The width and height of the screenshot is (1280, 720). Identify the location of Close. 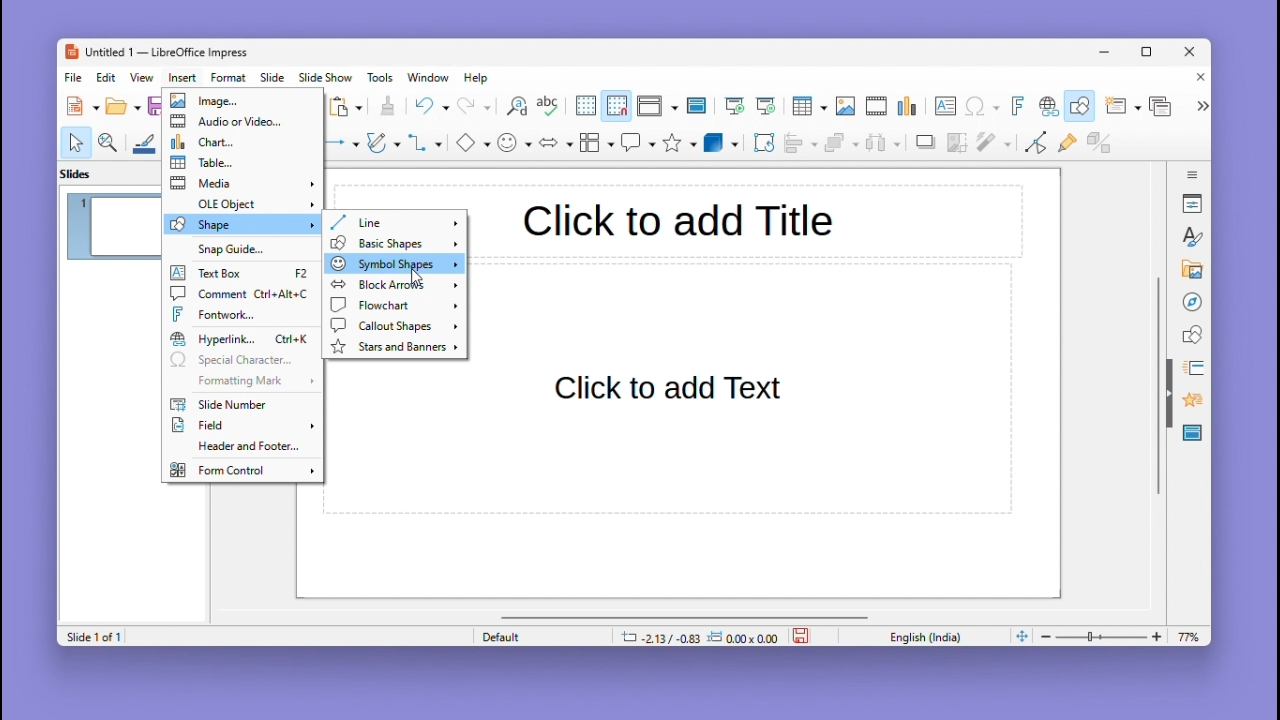
(1196, 79).